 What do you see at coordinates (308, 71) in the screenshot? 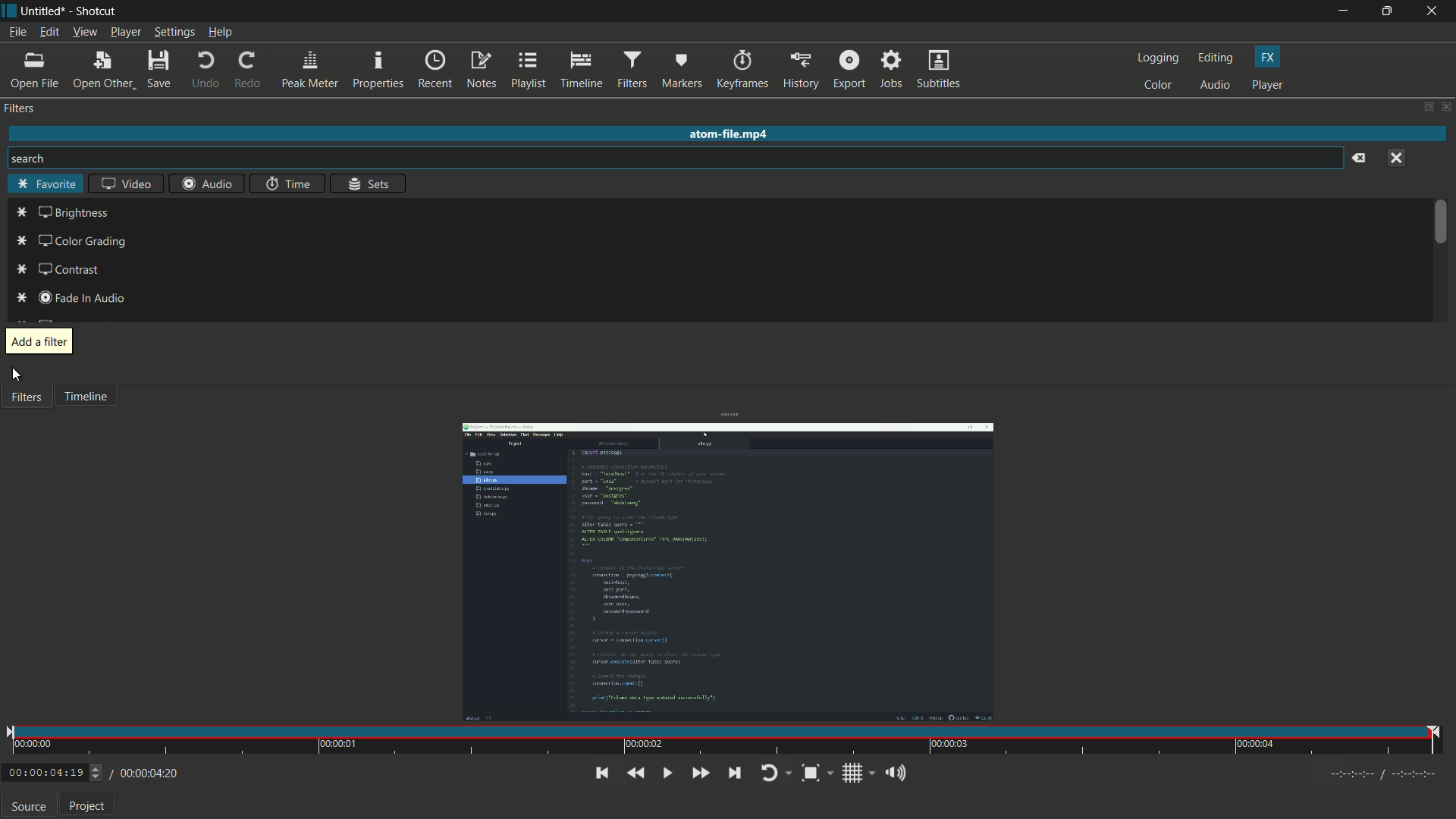
I see `peak meter` at bounding box center [308, 71].